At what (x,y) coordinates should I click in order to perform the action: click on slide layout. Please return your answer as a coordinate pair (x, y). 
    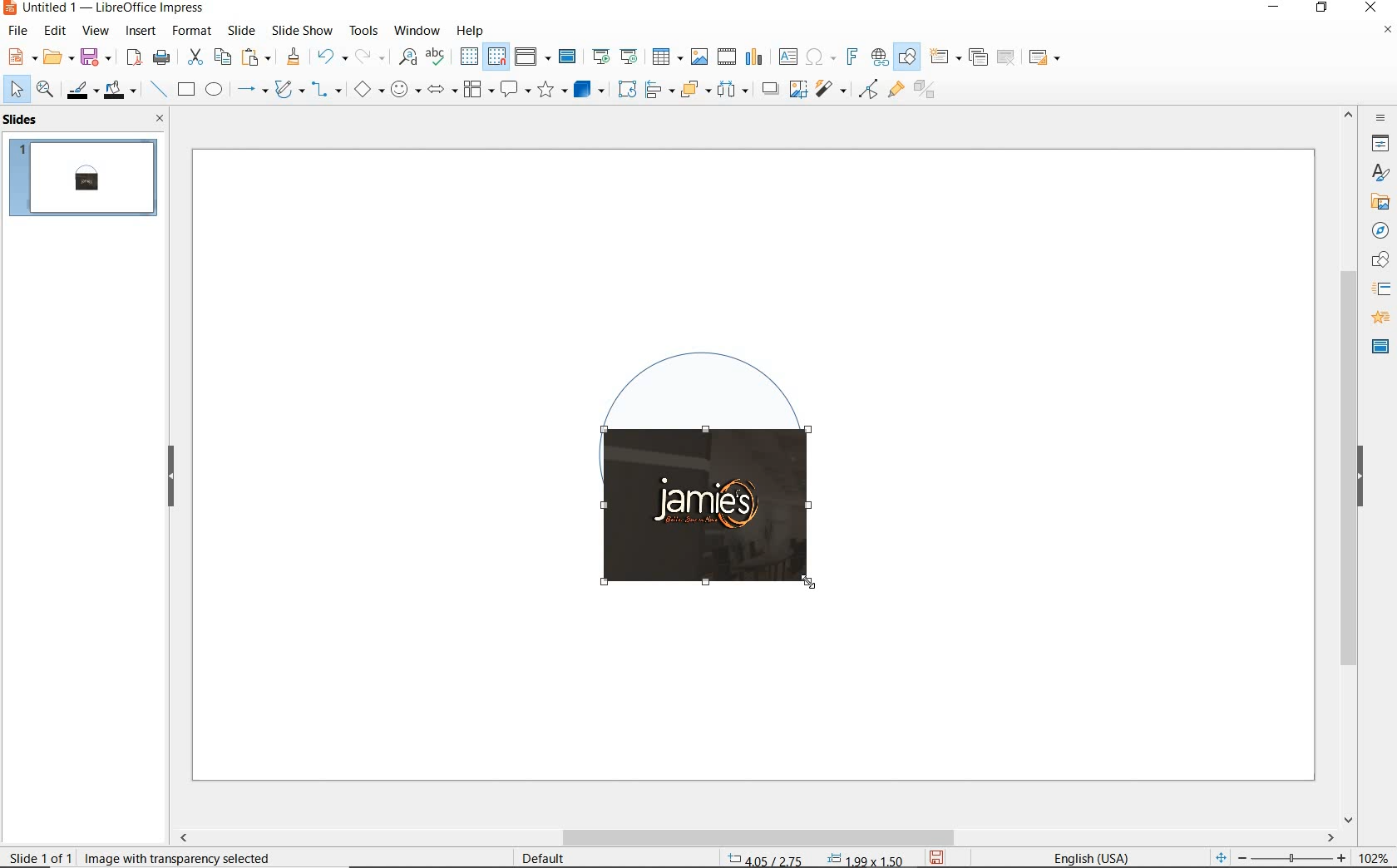
    Looking at the image, I should click on (1045, 58).